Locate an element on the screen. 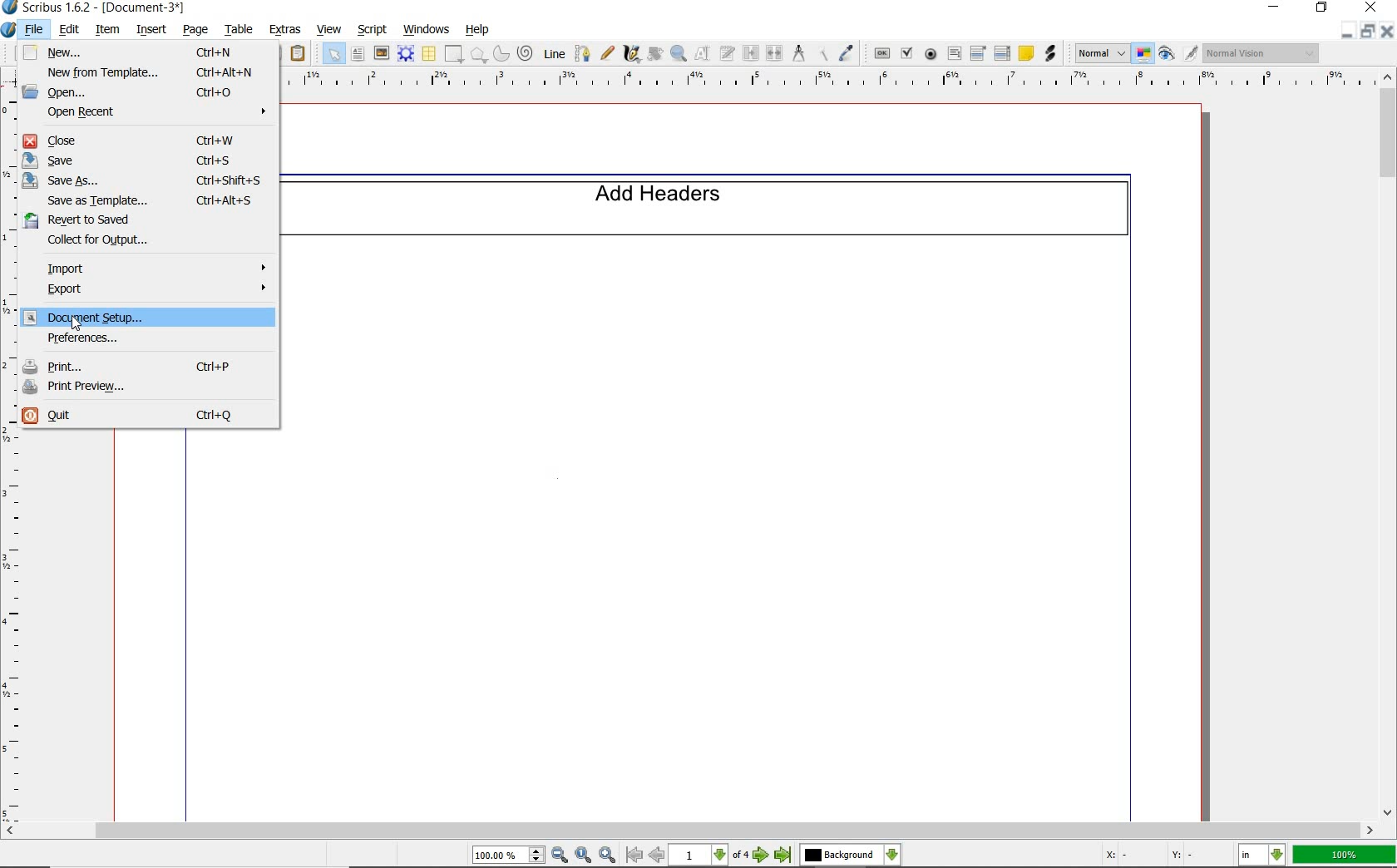  pdf push button is located at coordinates (881, 52).